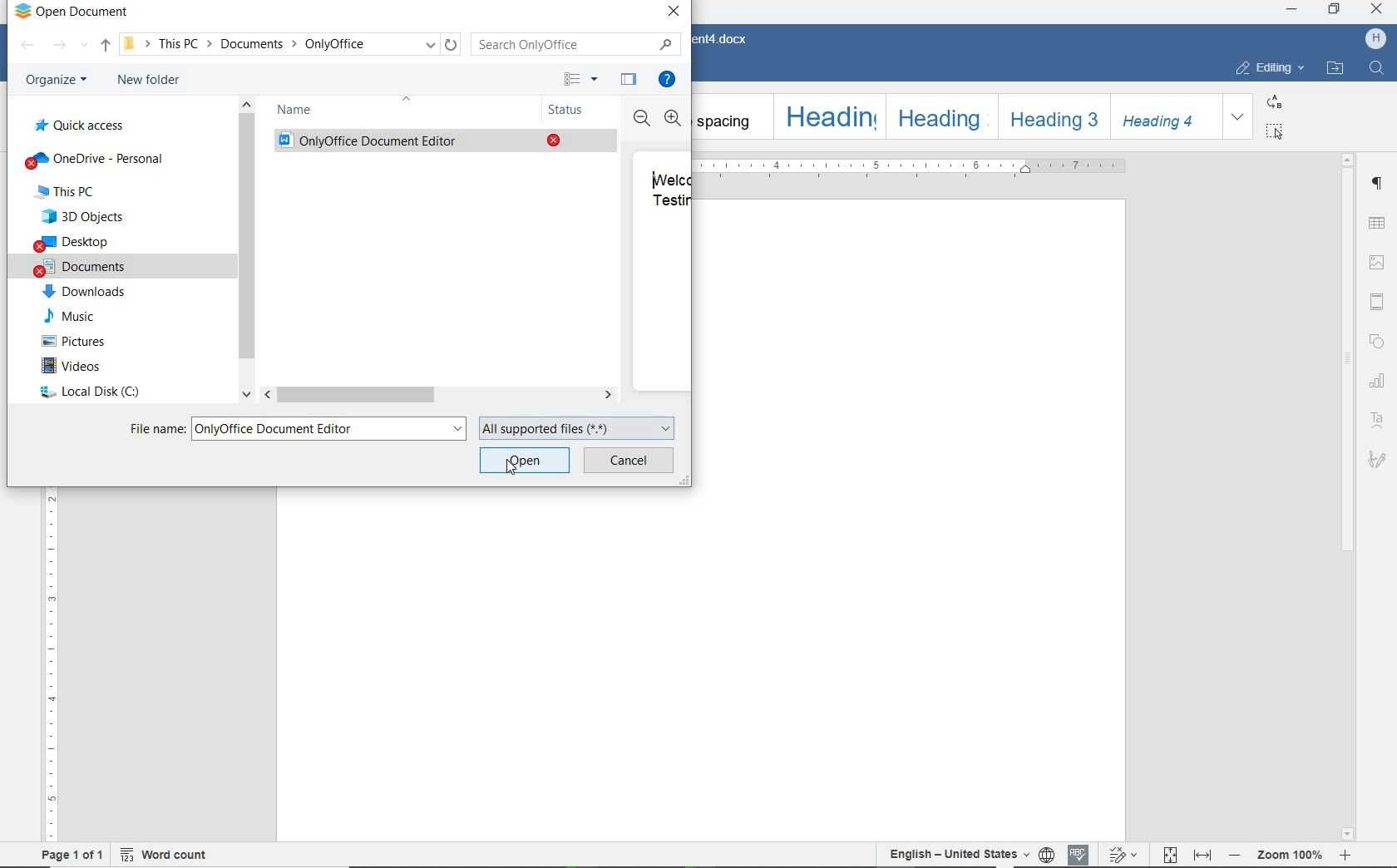 This screenshot has height=868, width=1397. Describe the element at coordinates (1350, 356) in the screenshot. I see `scrollbar` at that location.